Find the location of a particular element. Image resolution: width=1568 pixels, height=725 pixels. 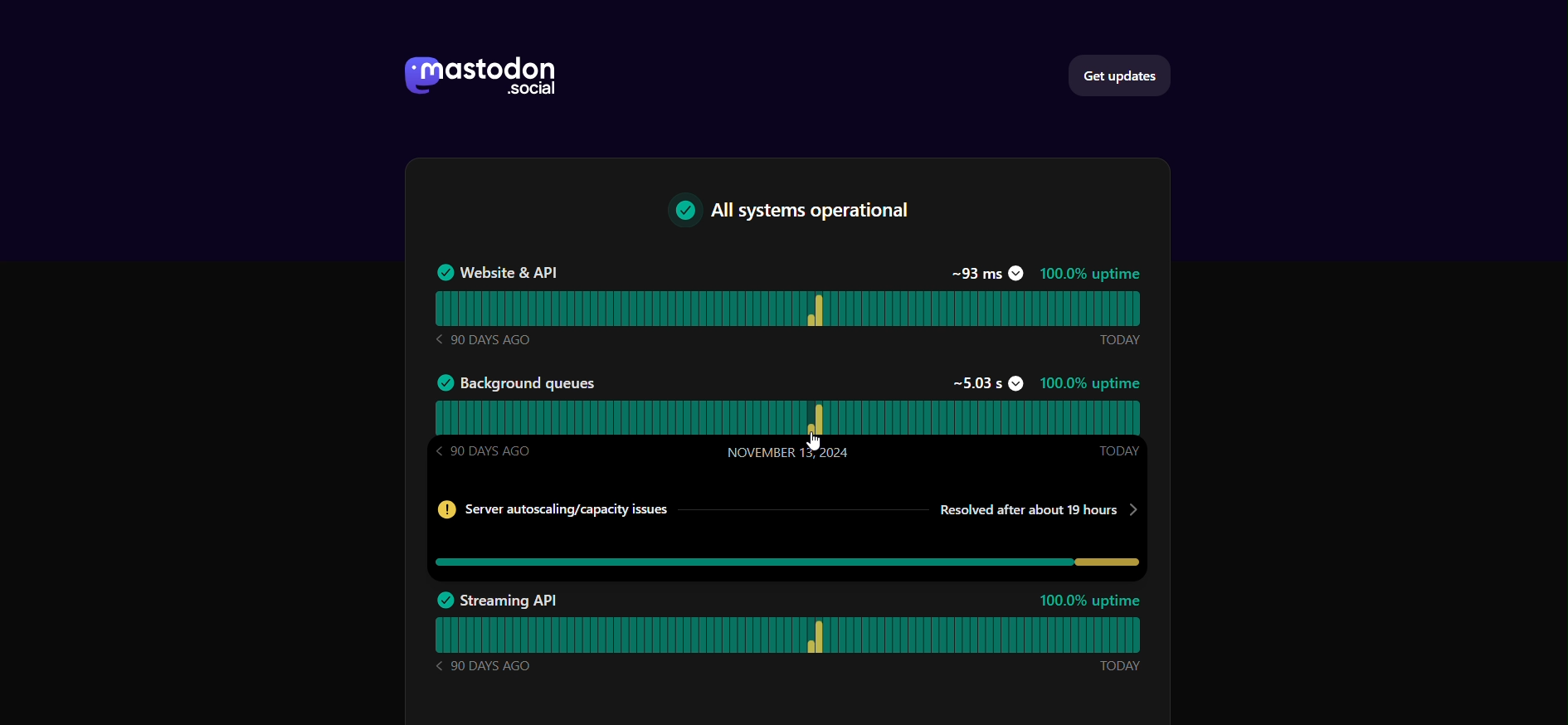

Server info is located at coordinates (553, 509).